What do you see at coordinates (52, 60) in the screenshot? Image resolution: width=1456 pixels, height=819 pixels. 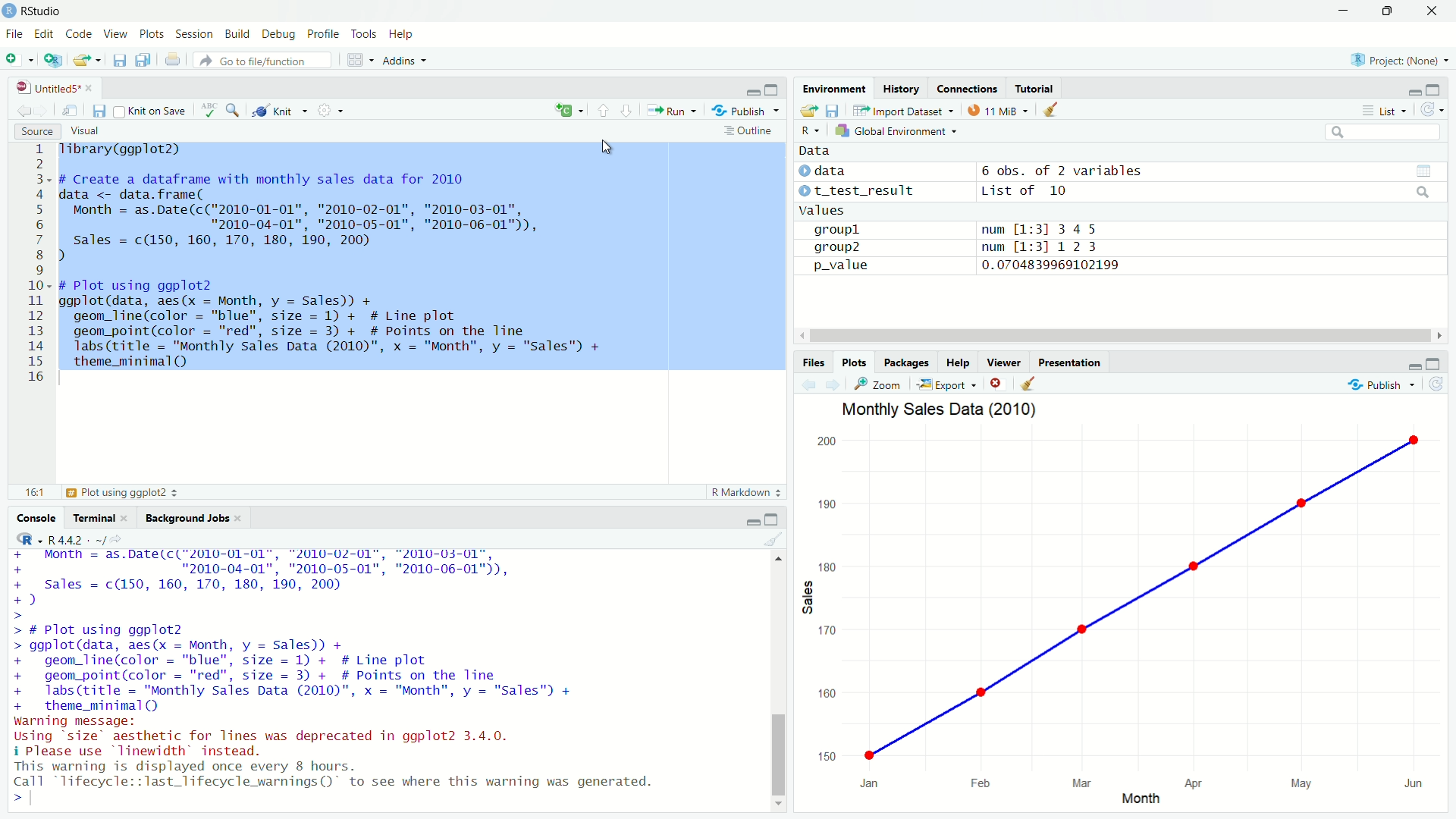 I see `new project` at bounding box center [52, 60].